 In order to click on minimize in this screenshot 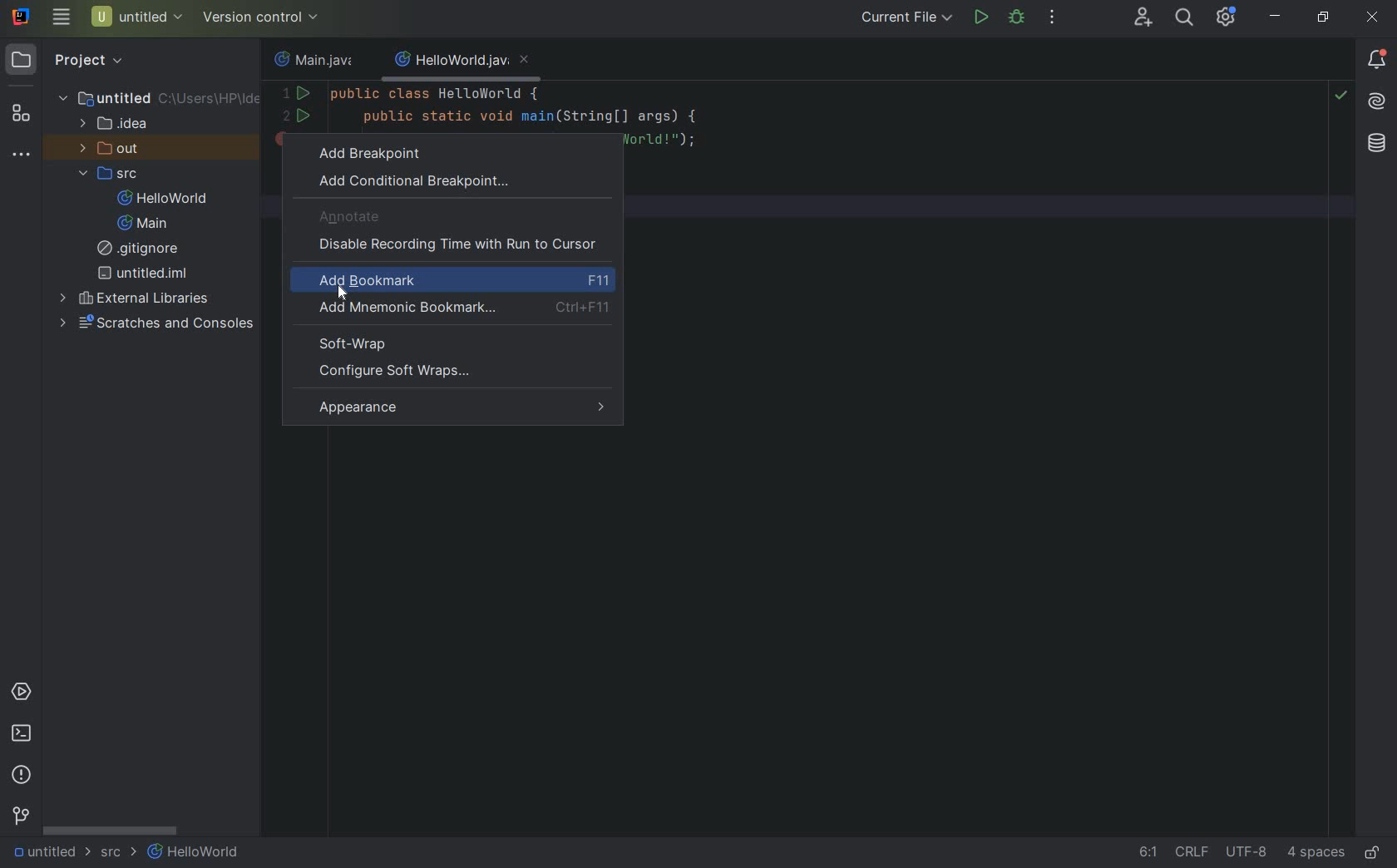, I will do `click(1276, 17)`.